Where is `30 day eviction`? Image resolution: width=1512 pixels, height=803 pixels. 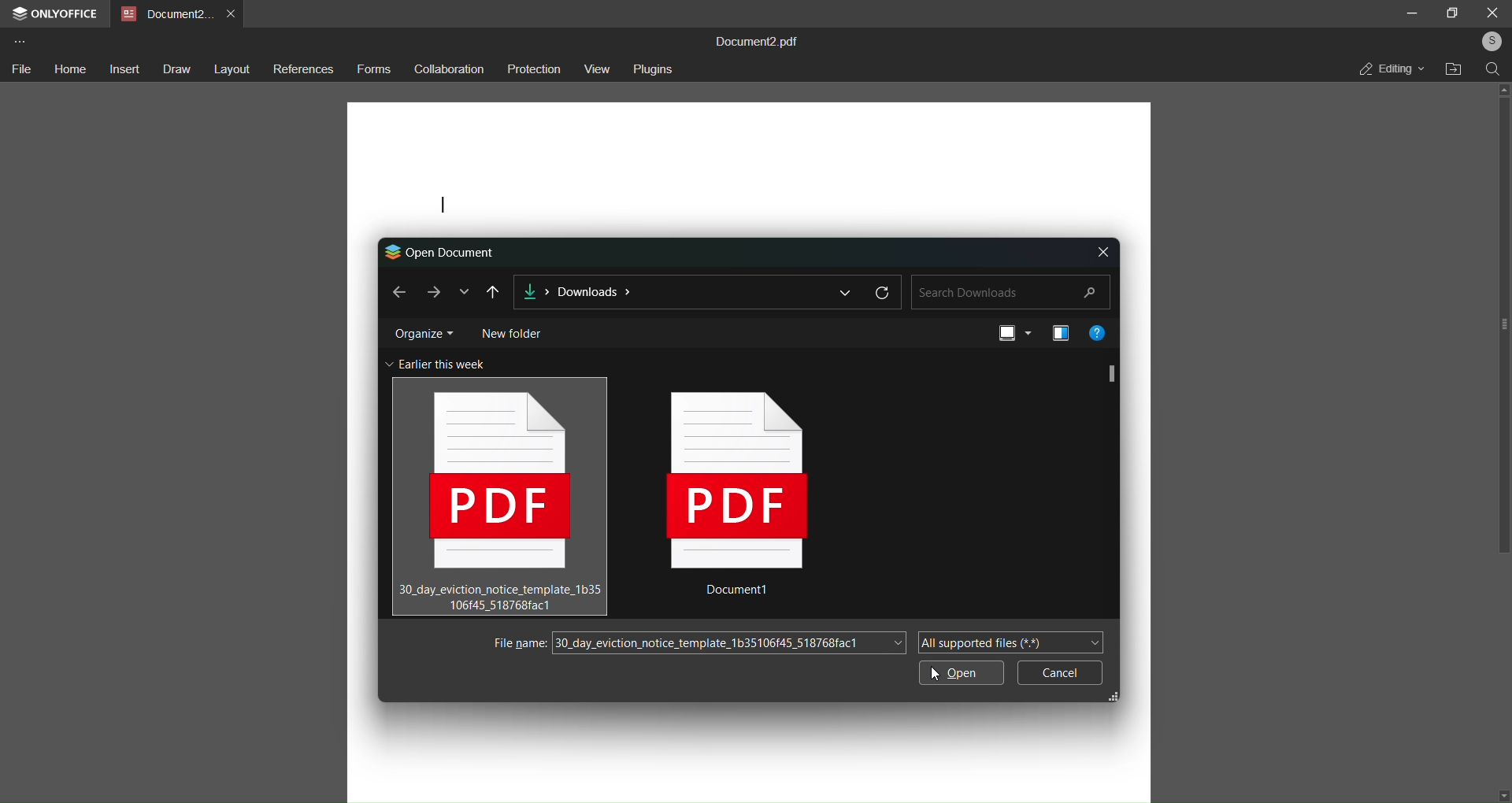 30 day eviction is located at coordinates (500, 494).